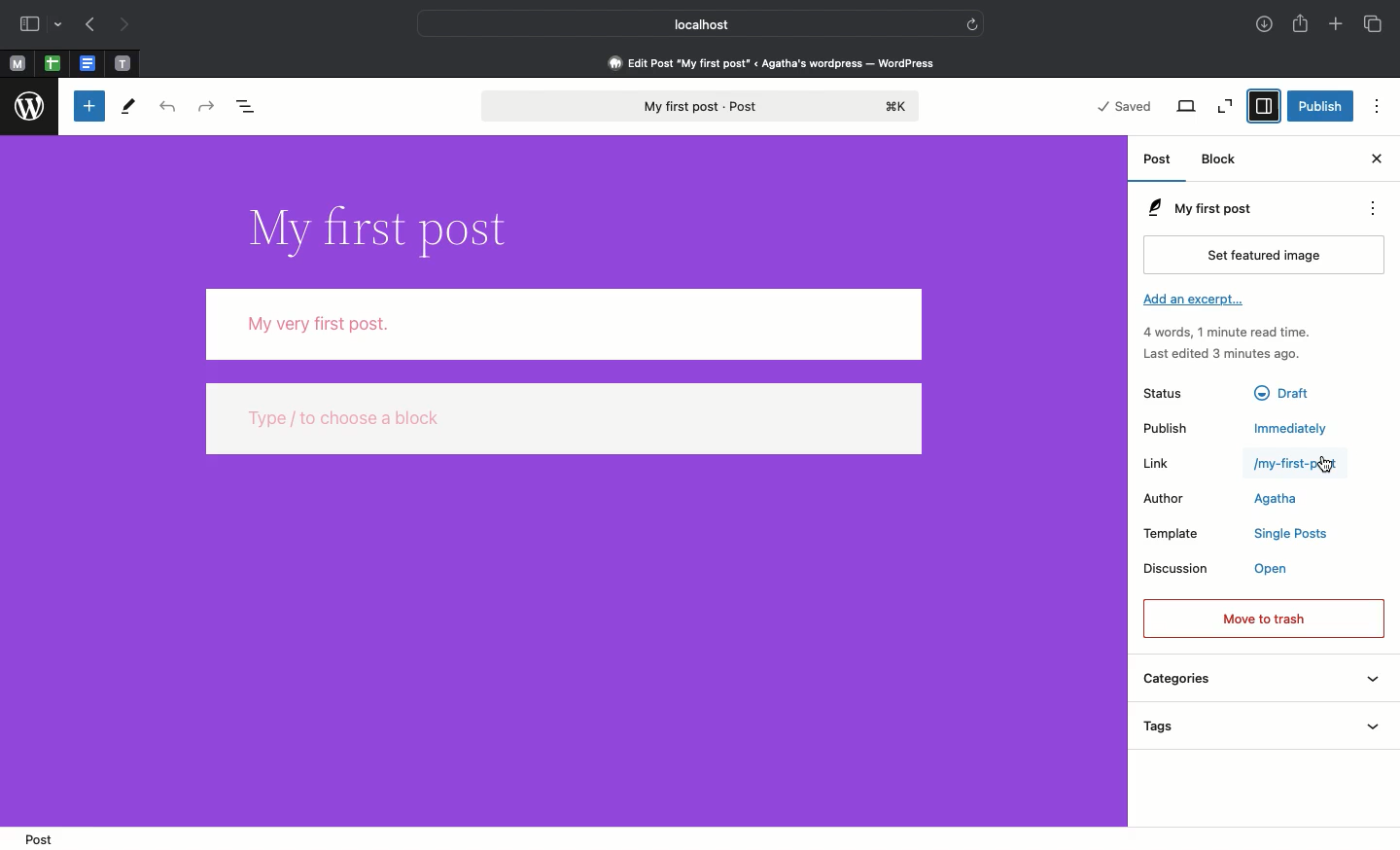  I want to click on pinned tabs, so click(87, 64).